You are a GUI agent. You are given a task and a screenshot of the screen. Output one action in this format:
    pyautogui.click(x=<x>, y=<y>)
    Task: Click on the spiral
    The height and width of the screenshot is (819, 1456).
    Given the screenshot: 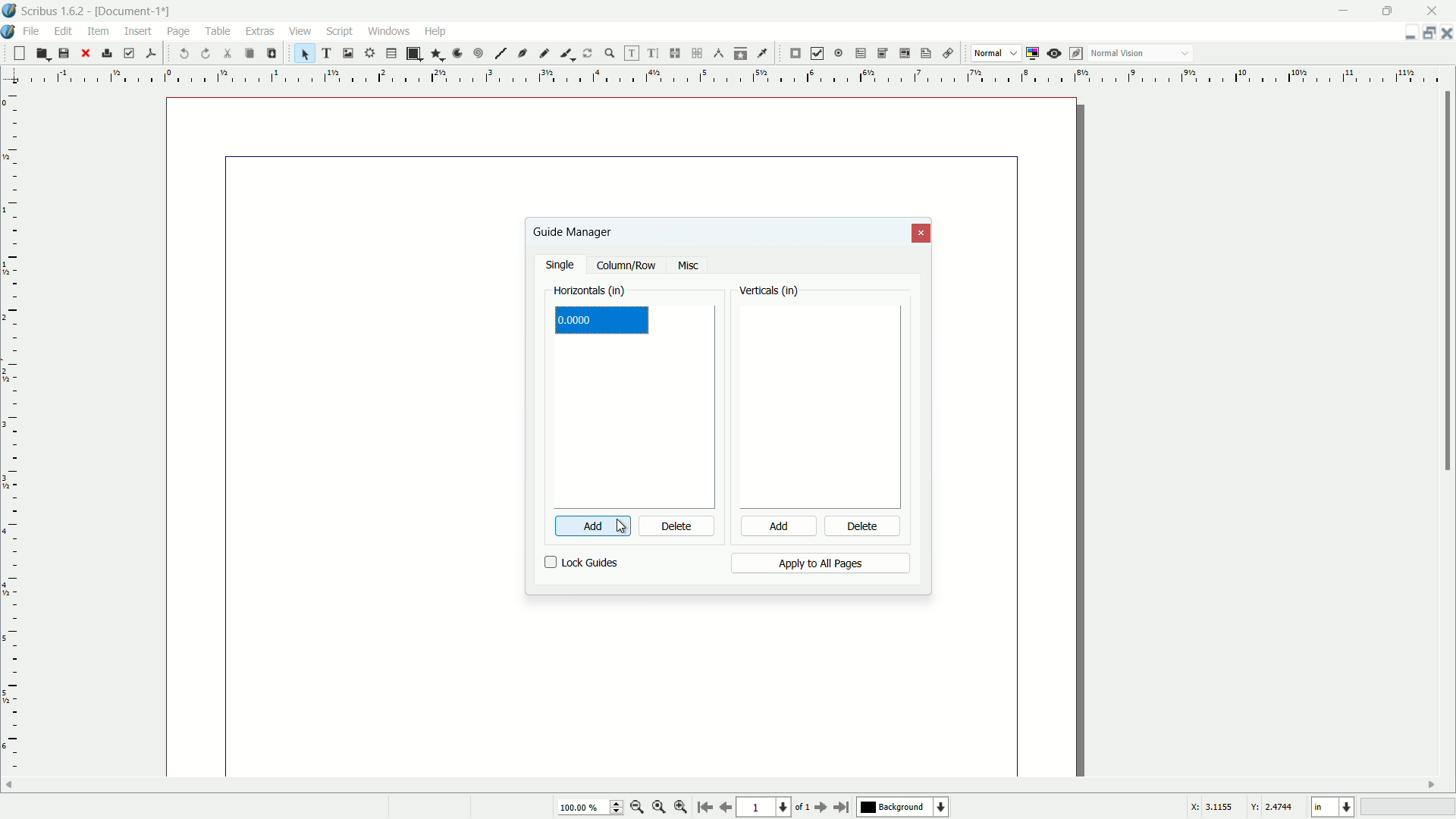 What is the action you would take?
    pyautogui.click(x=479, y=54)
    